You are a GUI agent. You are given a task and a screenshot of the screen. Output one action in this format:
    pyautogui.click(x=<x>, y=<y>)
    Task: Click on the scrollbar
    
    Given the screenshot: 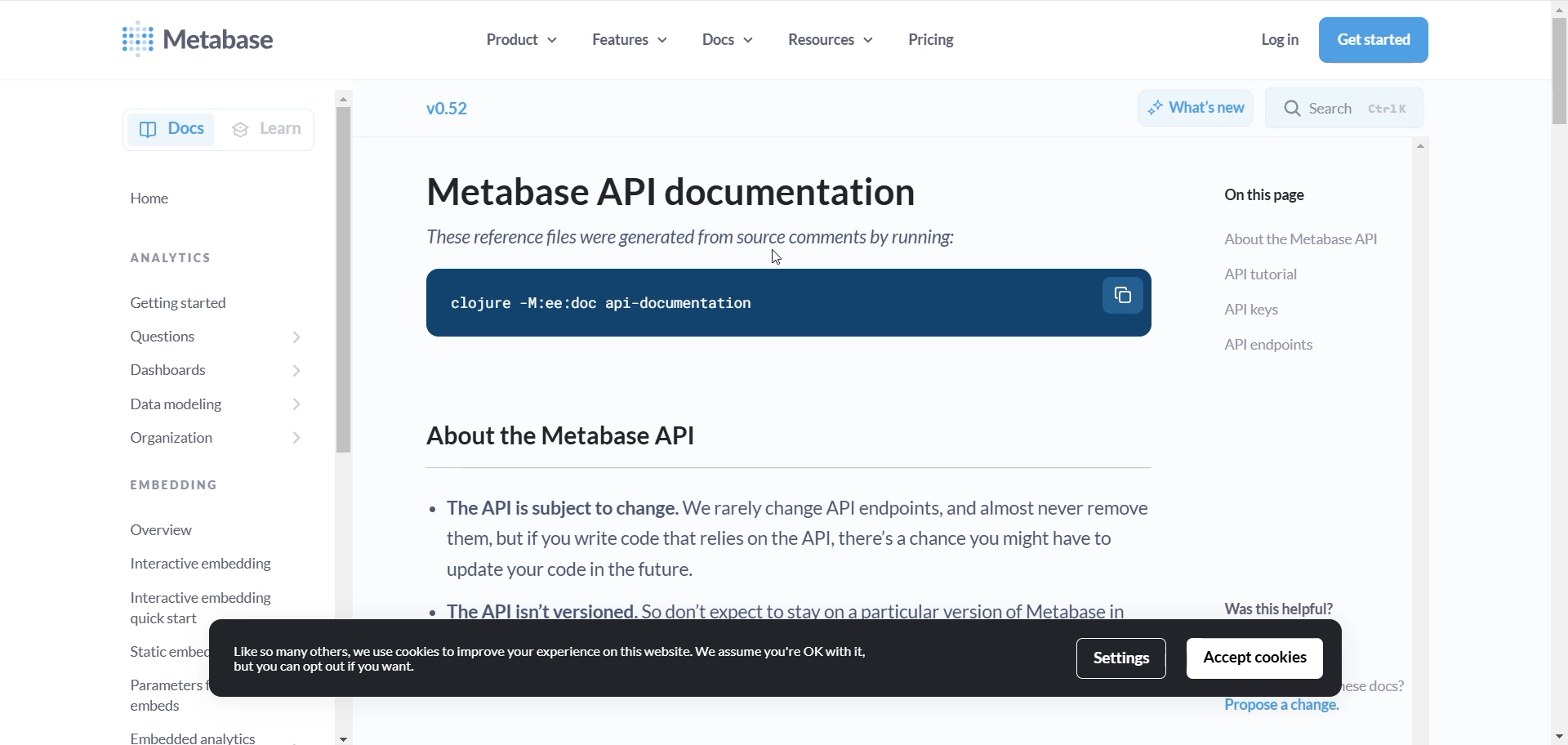 What is the action you would take?
    pyautogui.click(x=1558, y=72)
    